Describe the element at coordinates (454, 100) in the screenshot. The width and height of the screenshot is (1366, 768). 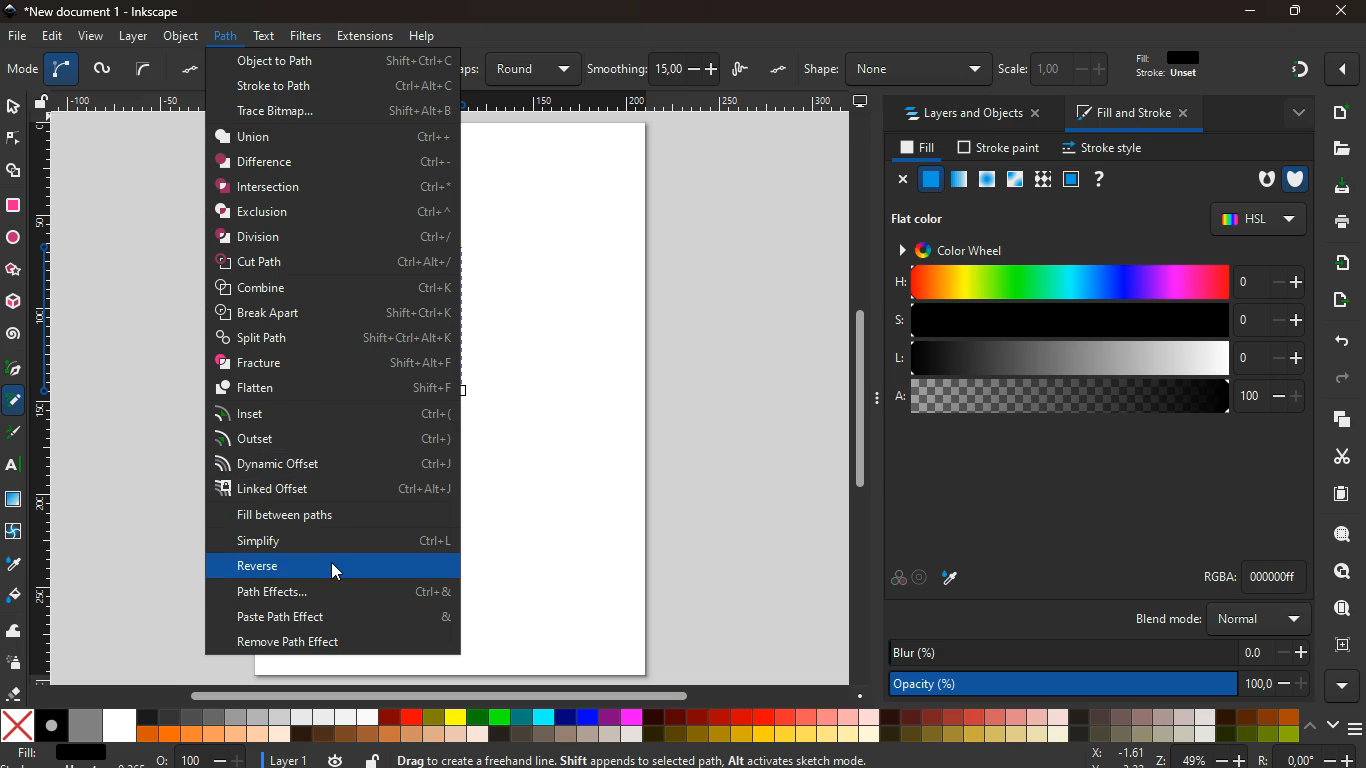
I see `Scale` at that location.